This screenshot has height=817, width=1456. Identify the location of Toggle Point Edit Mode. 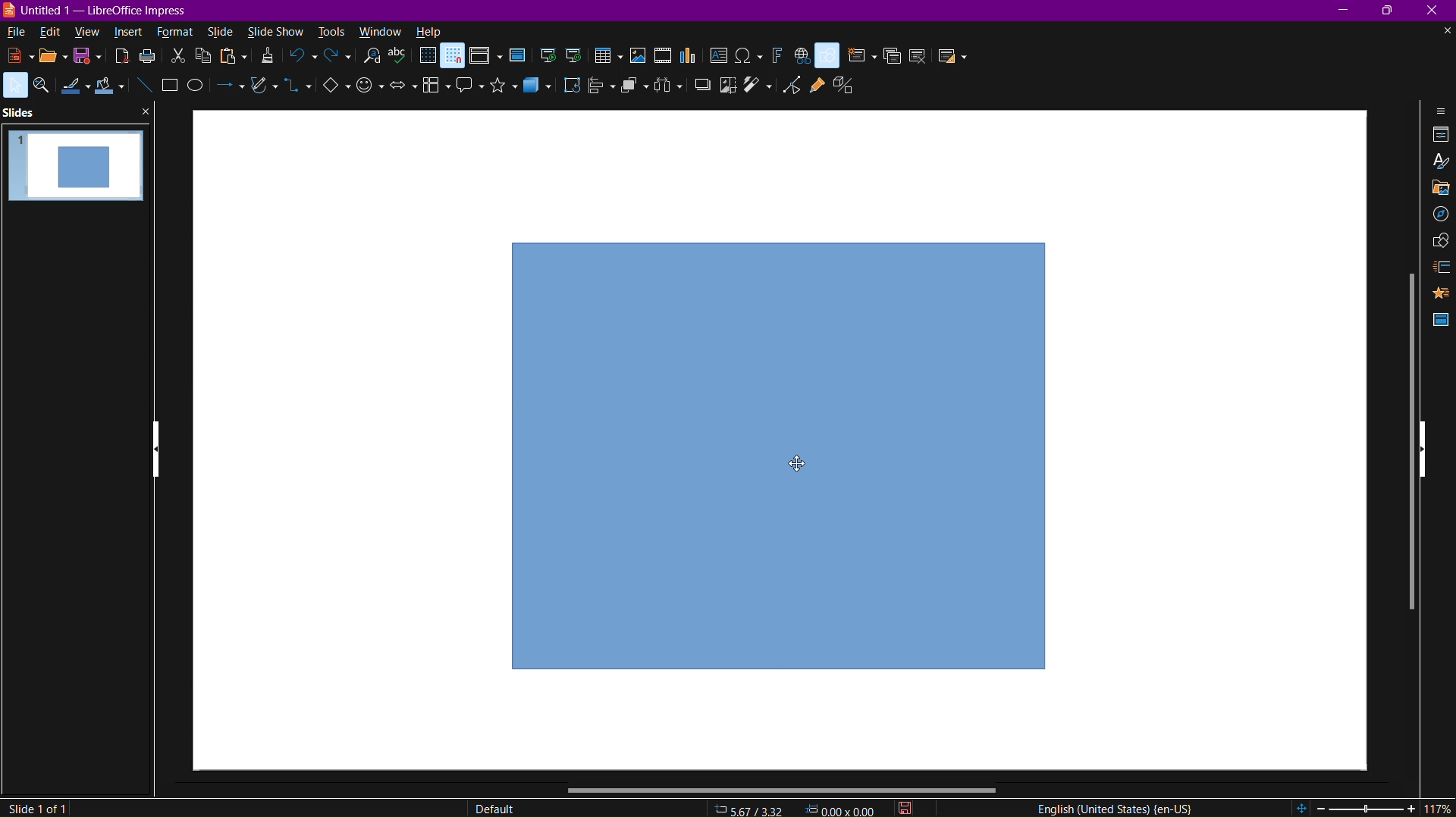
(795, 85).